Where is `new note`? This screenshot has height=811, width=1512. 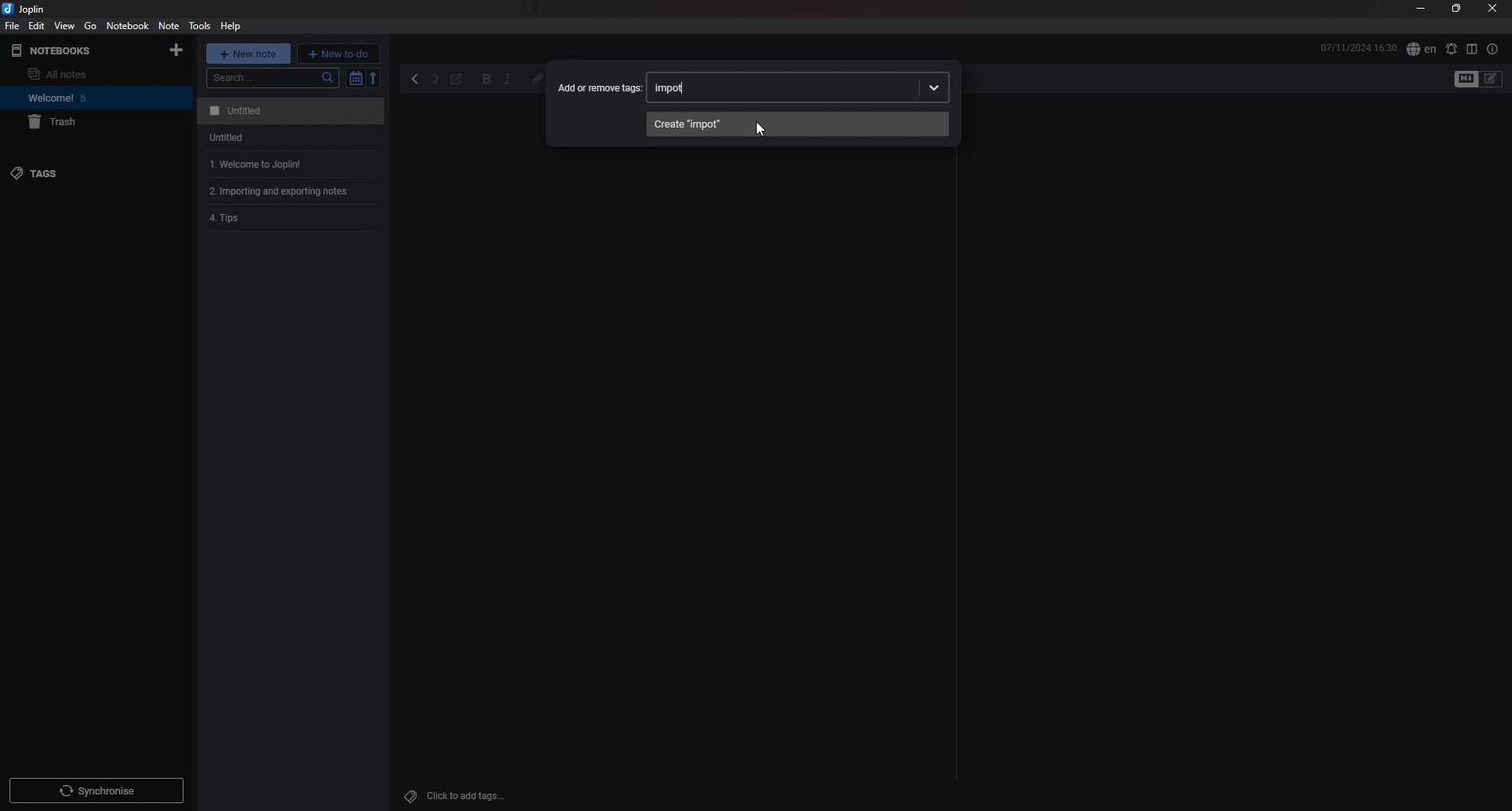 new note is located at coordinates (249, 53).